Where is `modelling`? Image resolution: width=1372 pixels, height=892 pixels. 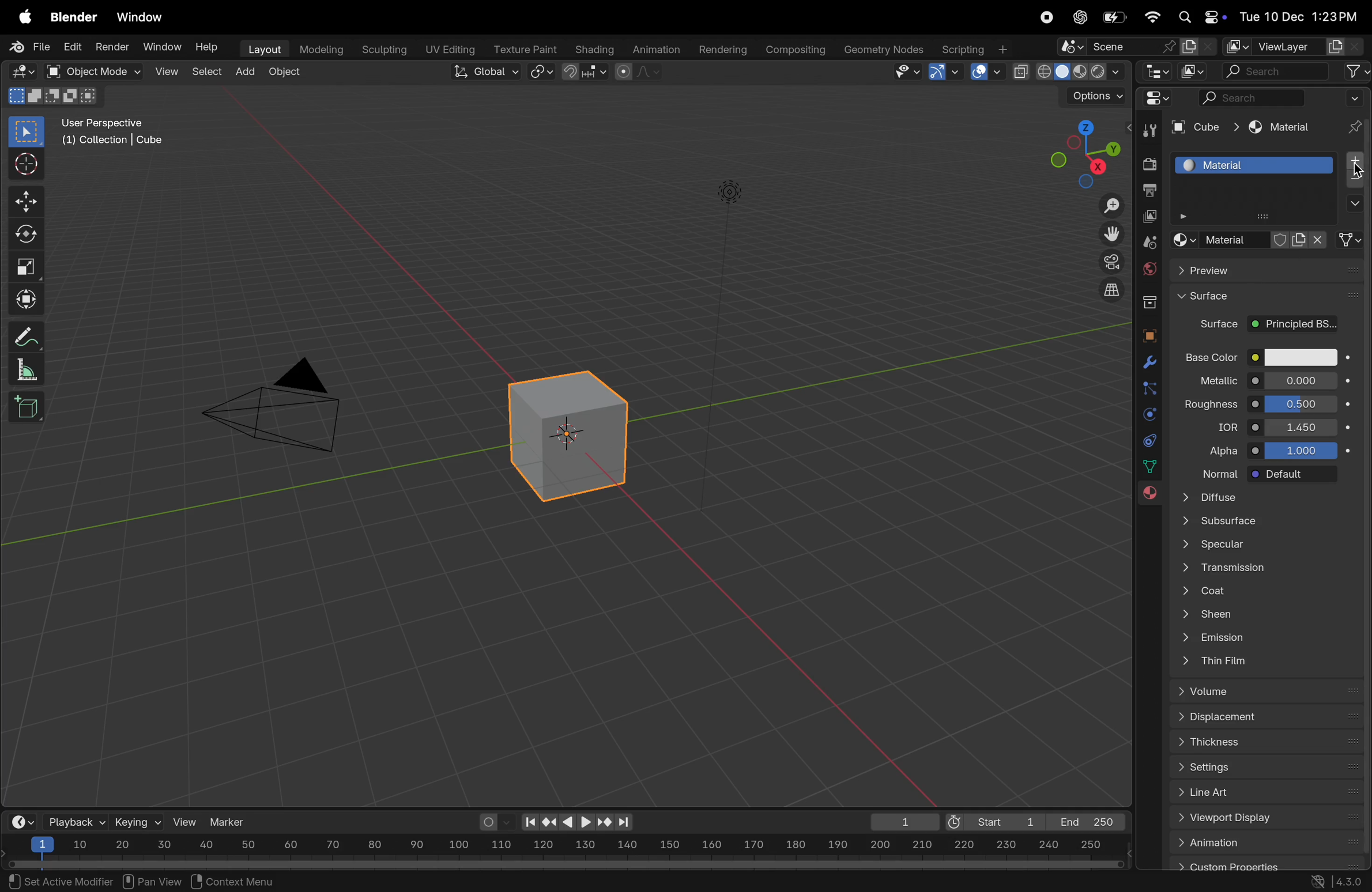
modelling is located at coordinates (320, 48).